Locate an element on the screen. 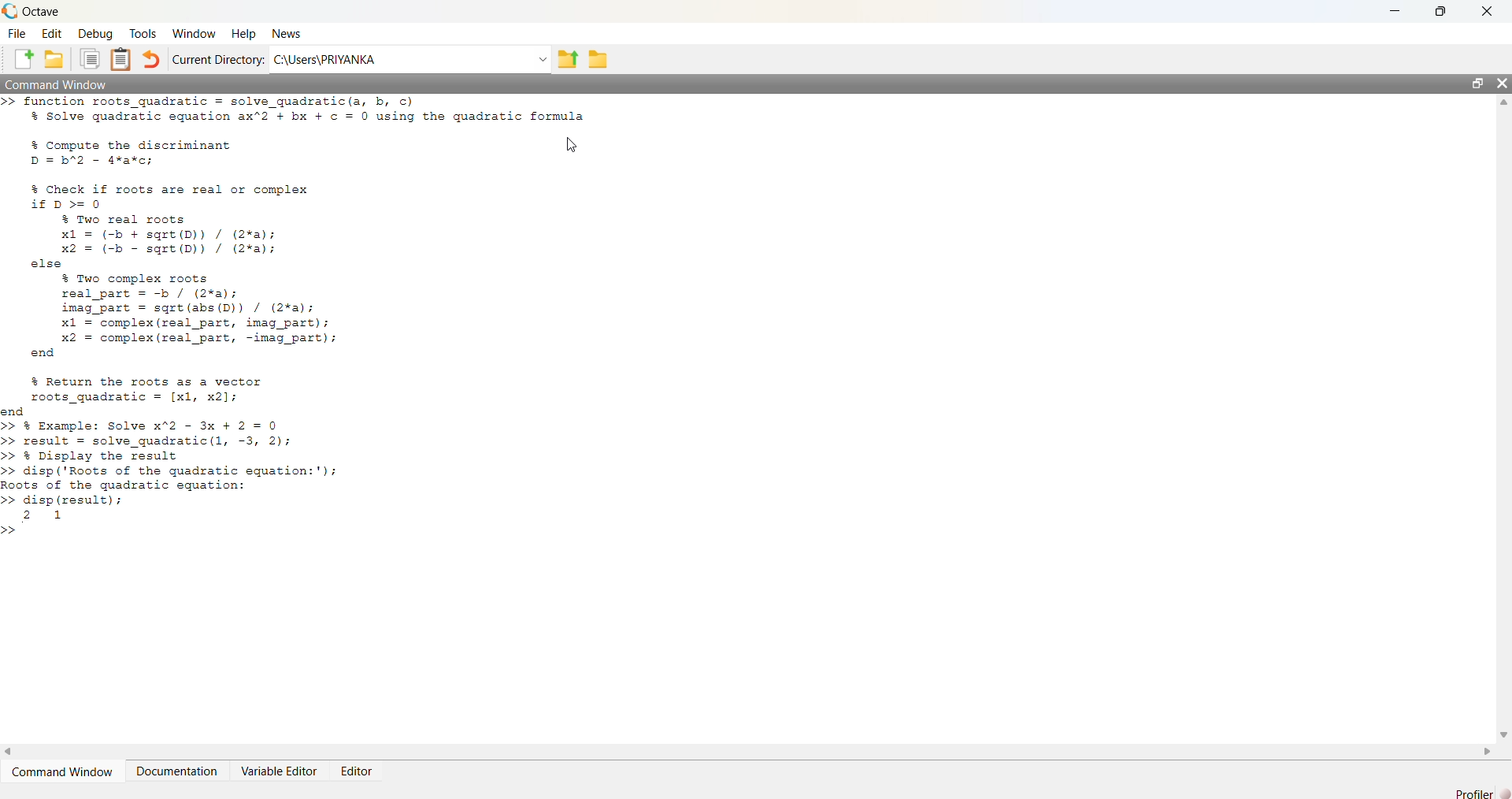 The image size is (1512, 799). News is located at coordinates (288, 32).